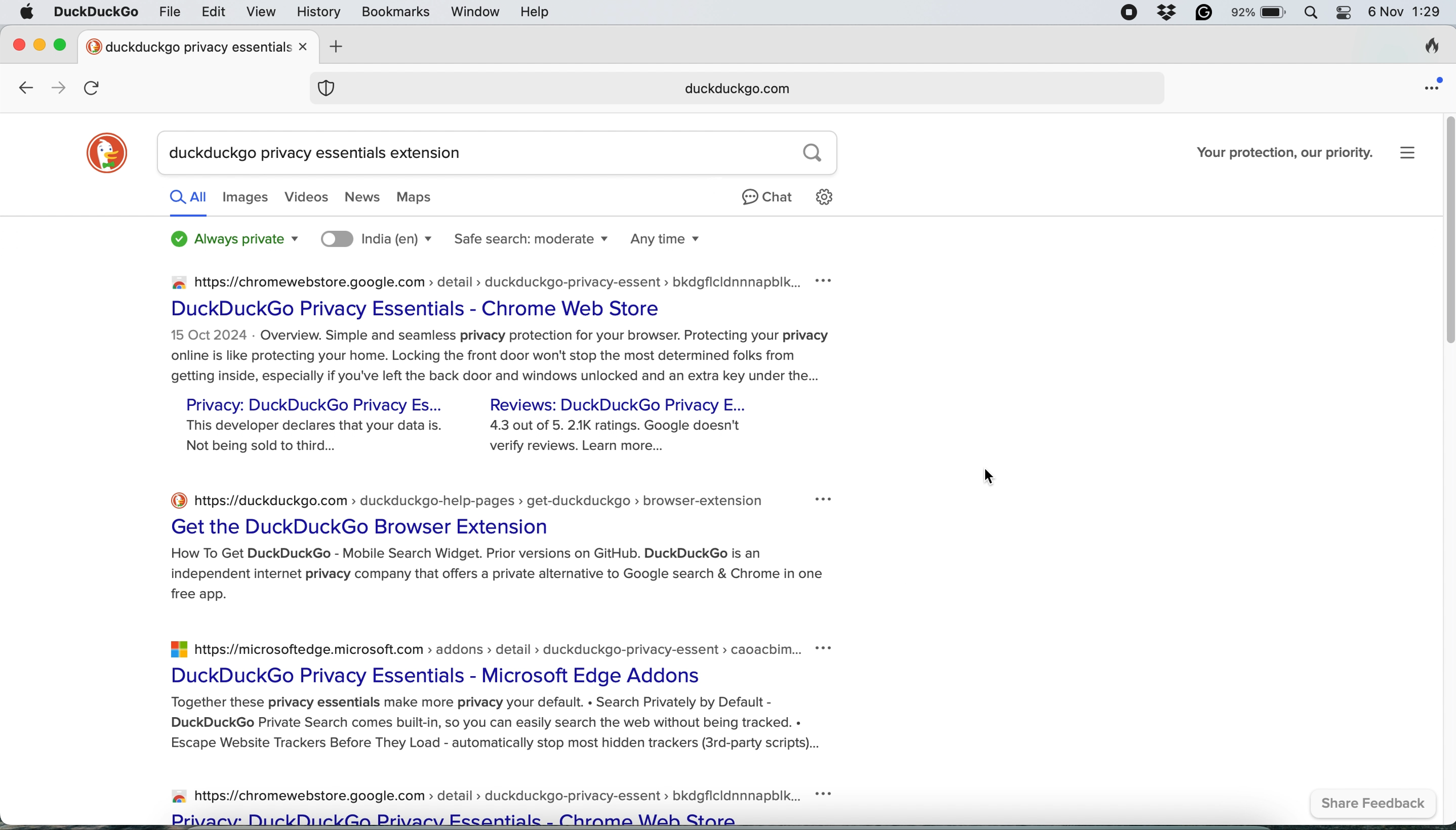  I want to click on location, so click(335, 241).